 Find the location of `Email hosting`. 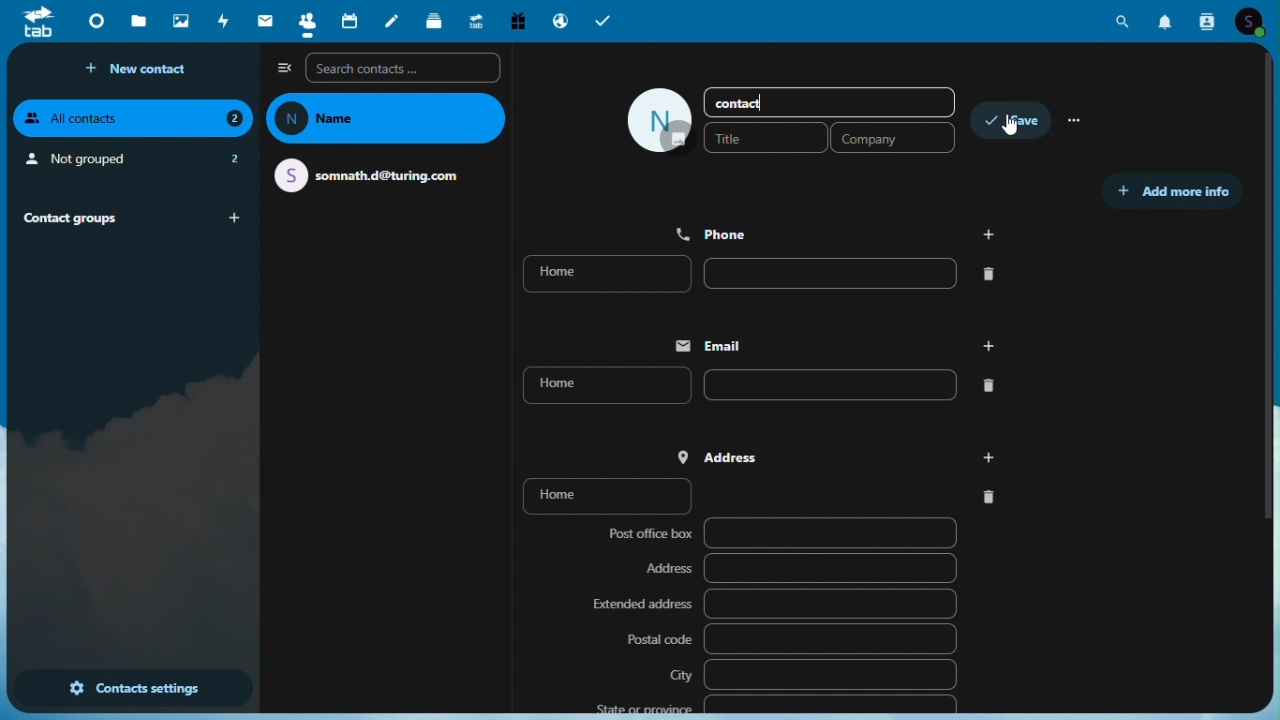

Email hosting is located at coordinates (560, 19).